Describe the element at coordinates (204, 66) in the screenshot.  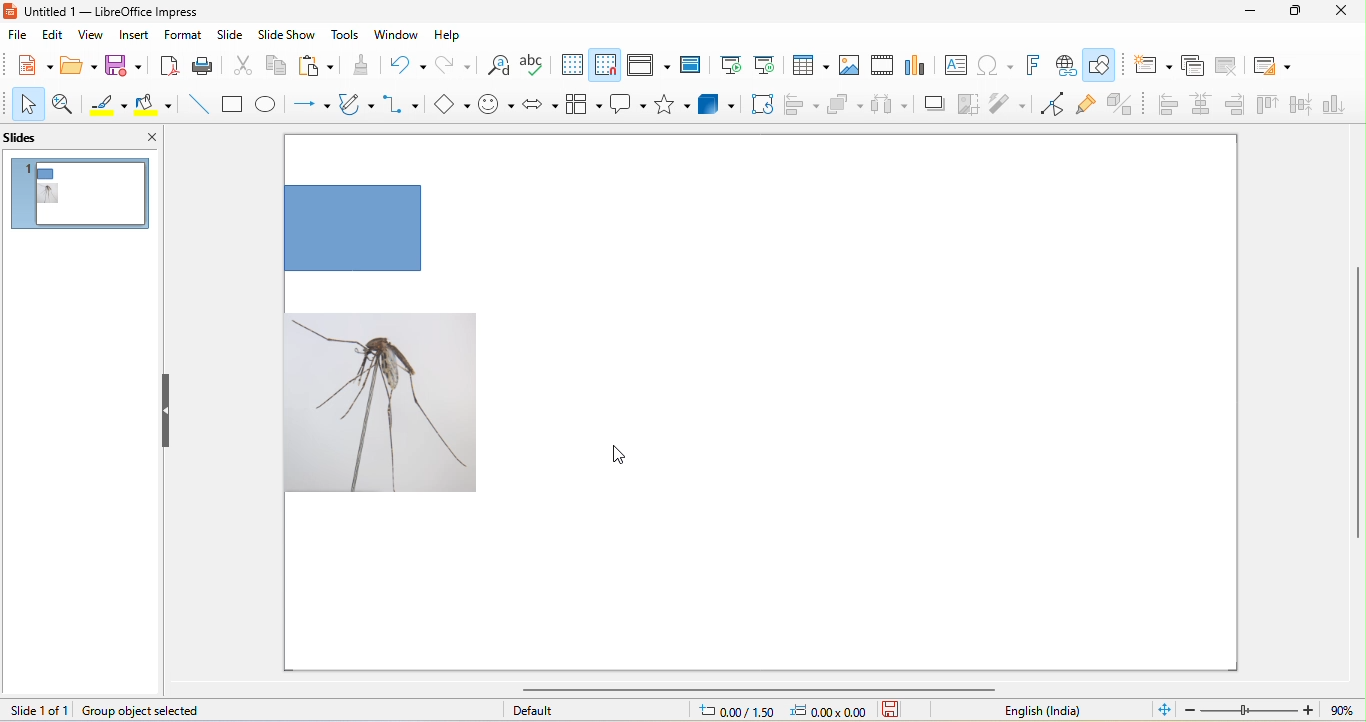
I see `print` at that location.